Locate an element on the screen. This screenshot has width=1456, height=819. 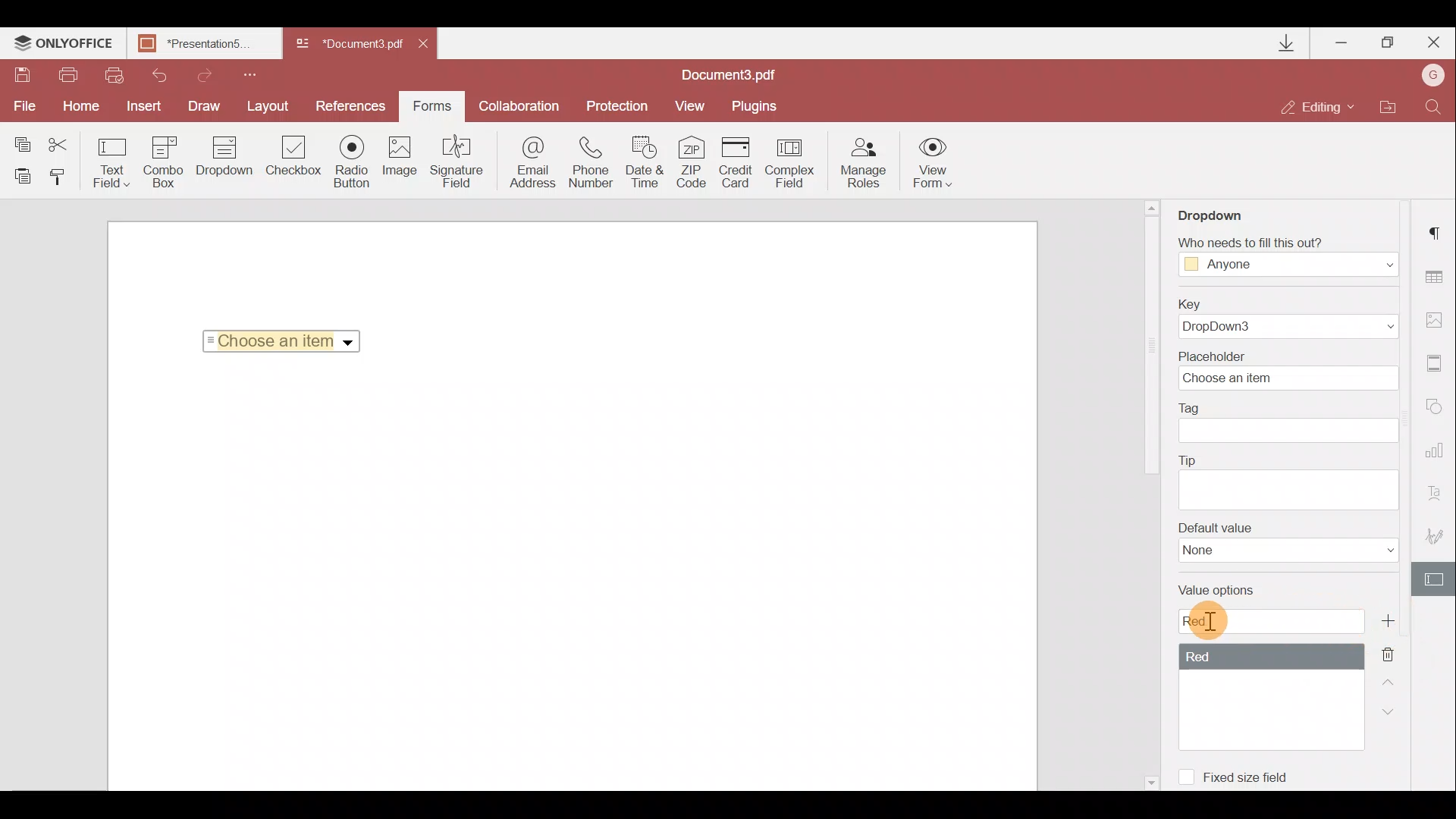
Combo box is located at coordinates (162, 162).